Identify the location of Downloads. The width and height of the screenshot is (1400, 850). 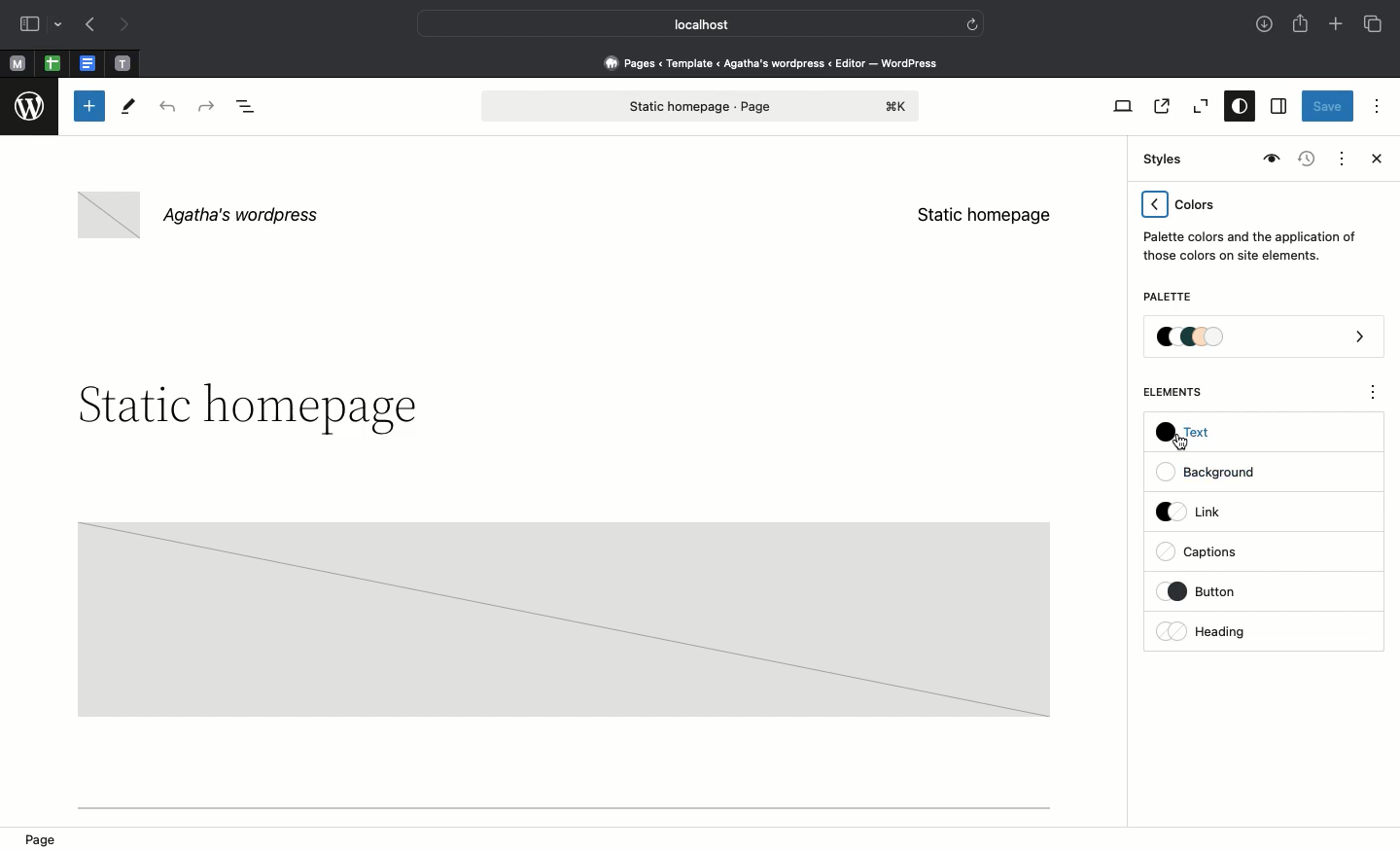
(1266, 26).